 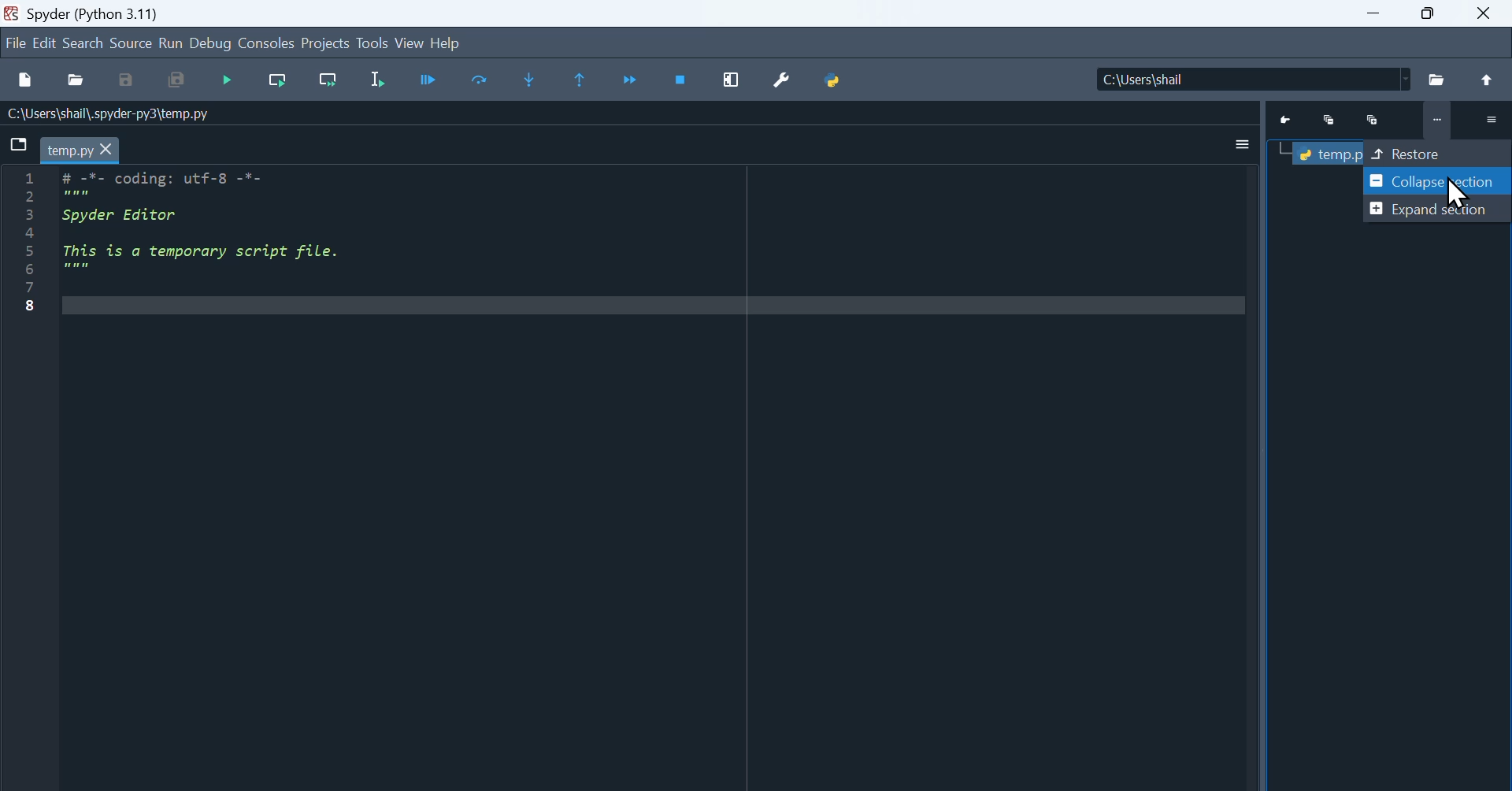 I want to click on Minimize, so click(x=1332, y=121).